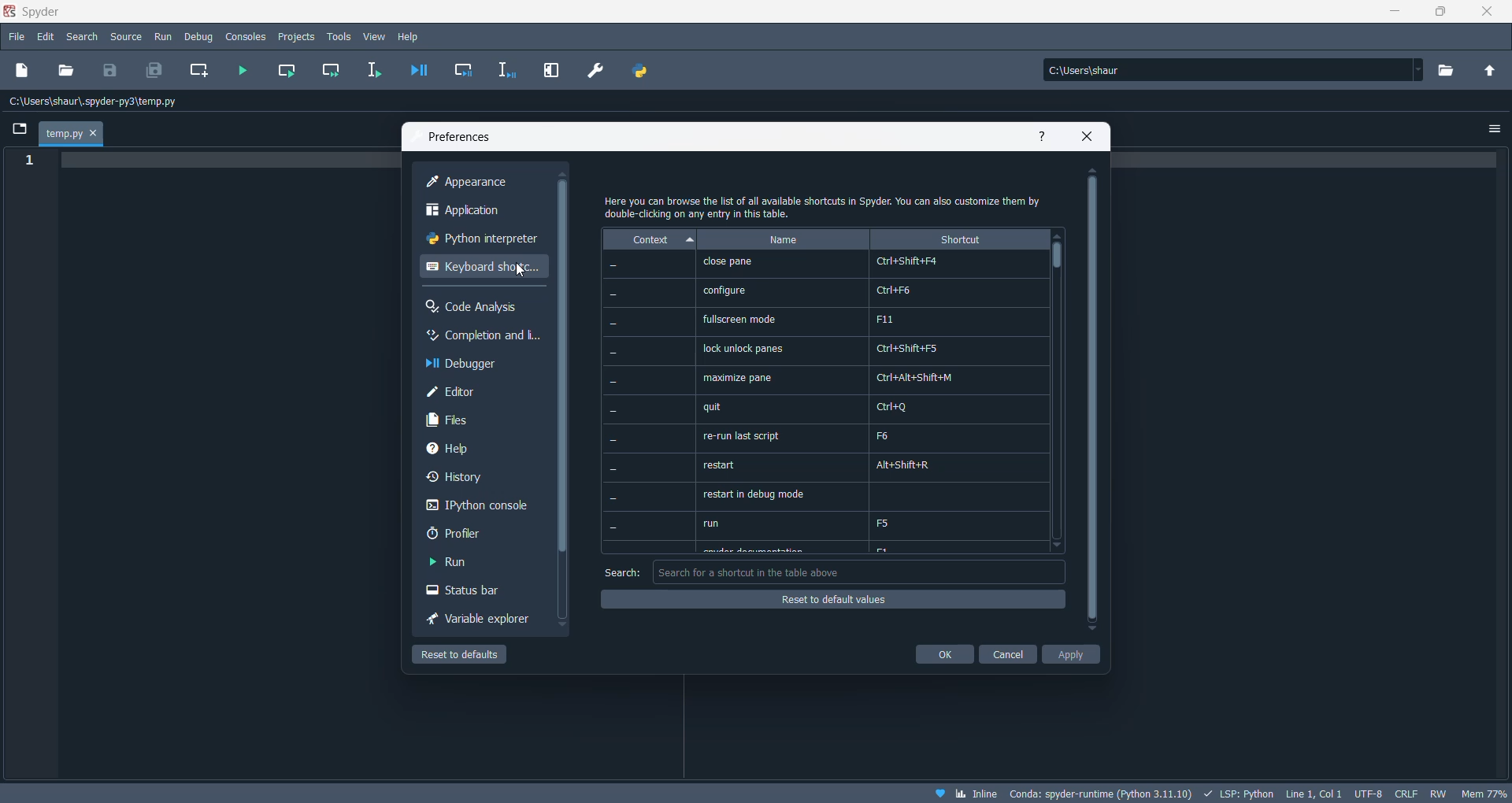 The height and width of the screenshot is (803, 1512). I want to click on spider version, so click(1099, 791).